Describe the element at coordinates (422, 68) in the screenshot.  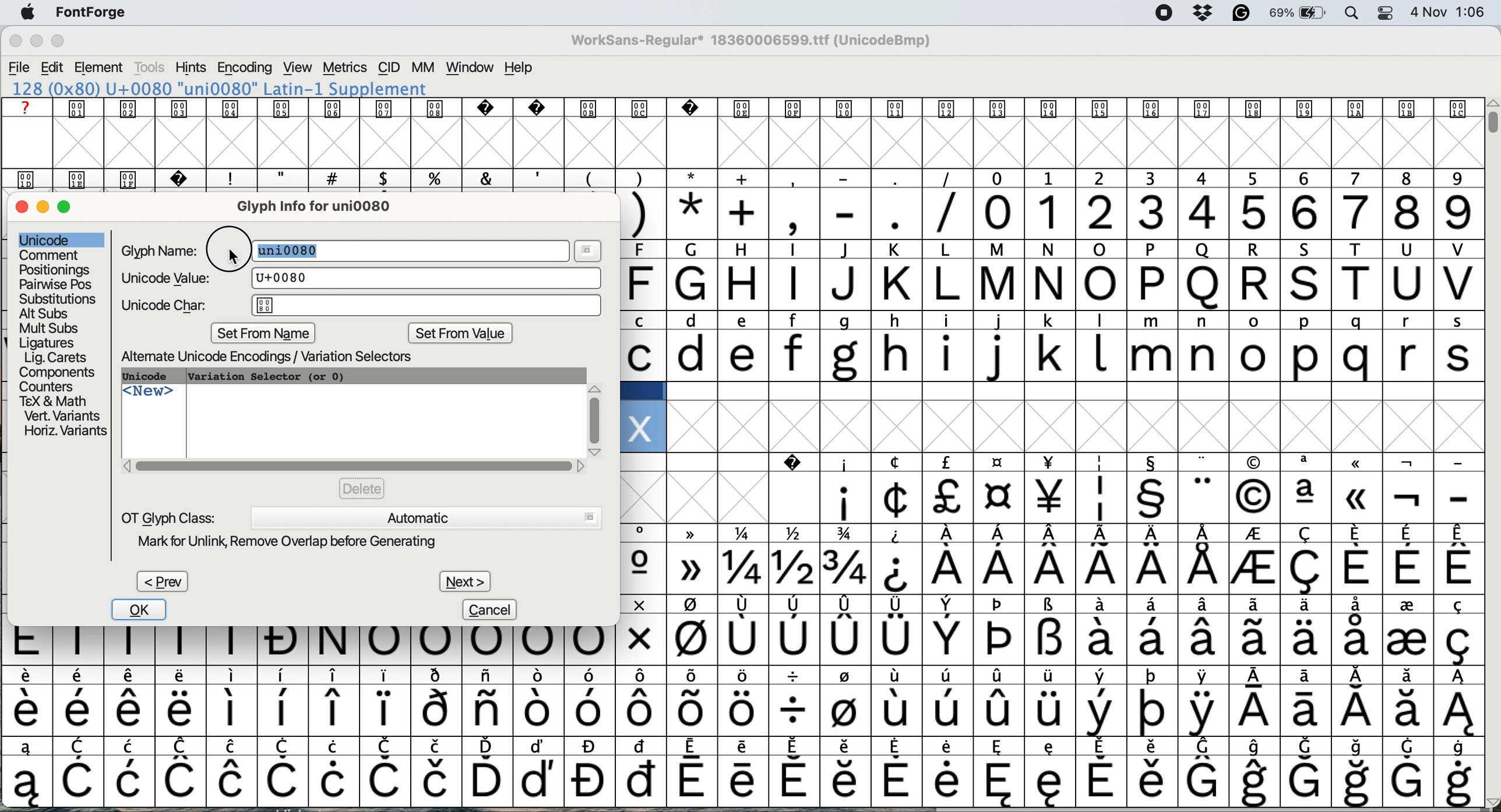
I see `mm` at that location.